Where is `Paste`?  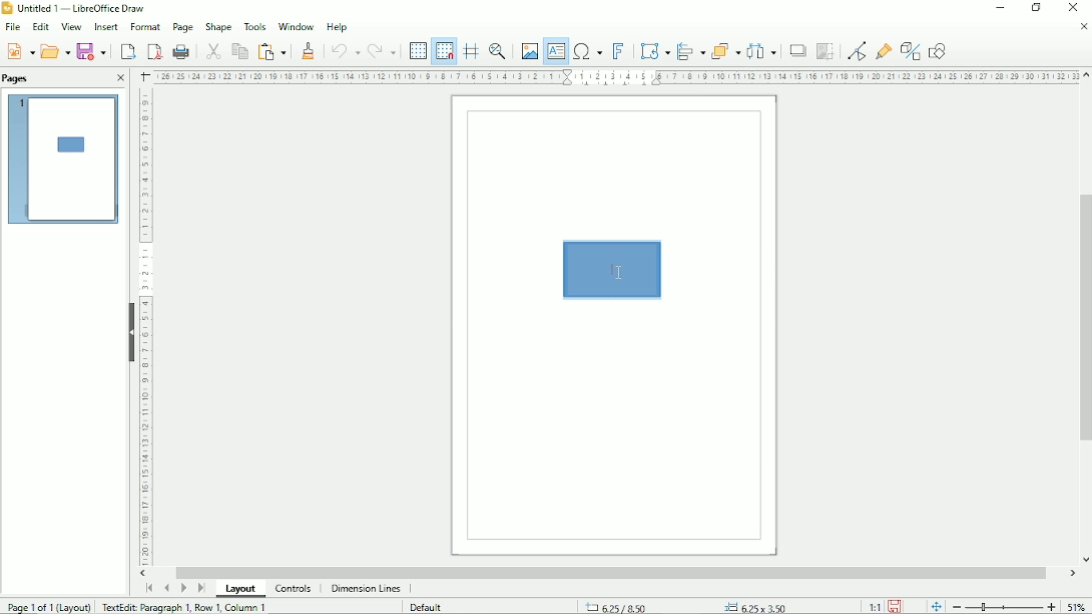
Paste is located at coordinates (271, 50).